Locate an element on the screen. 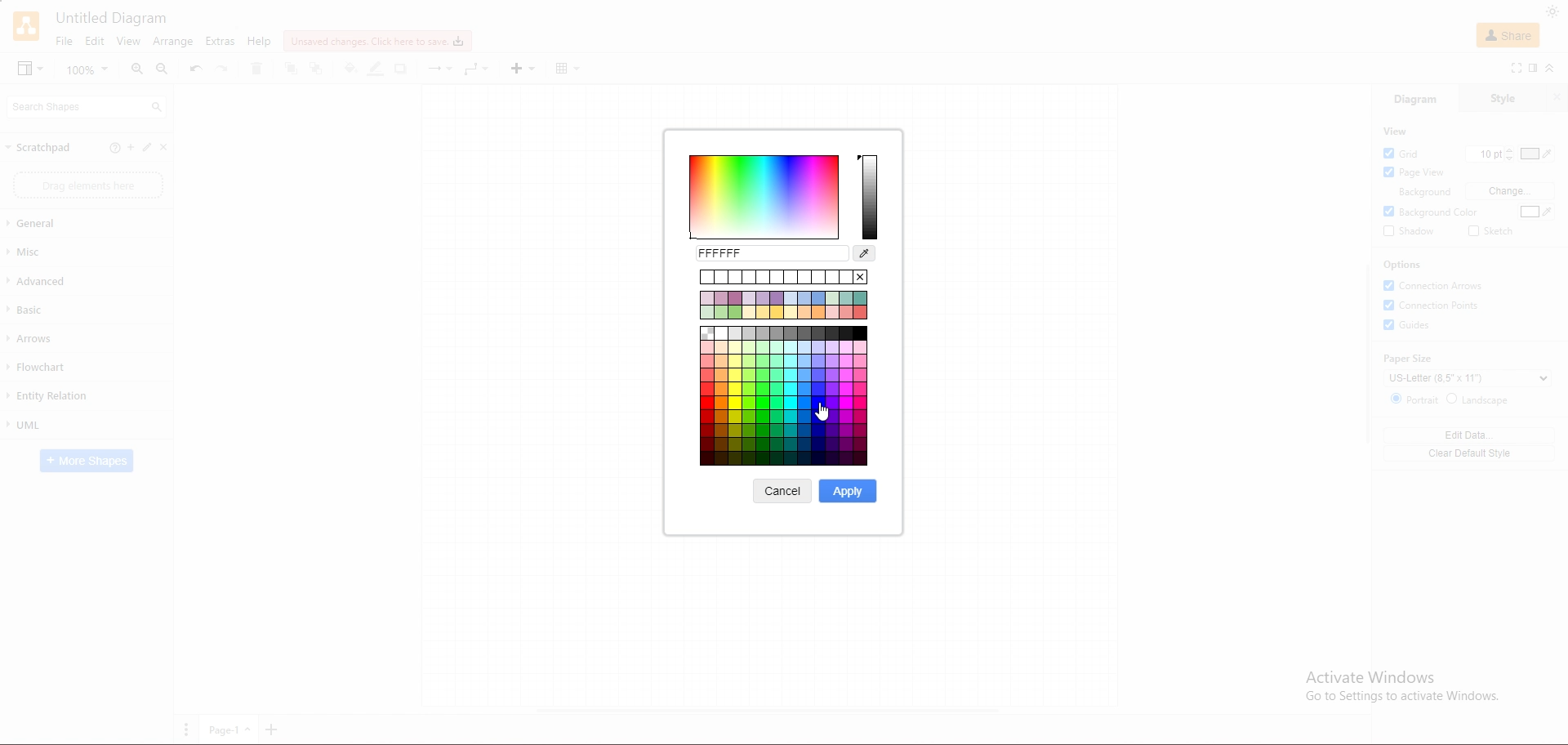  color code is located at coordinates (770, 254).